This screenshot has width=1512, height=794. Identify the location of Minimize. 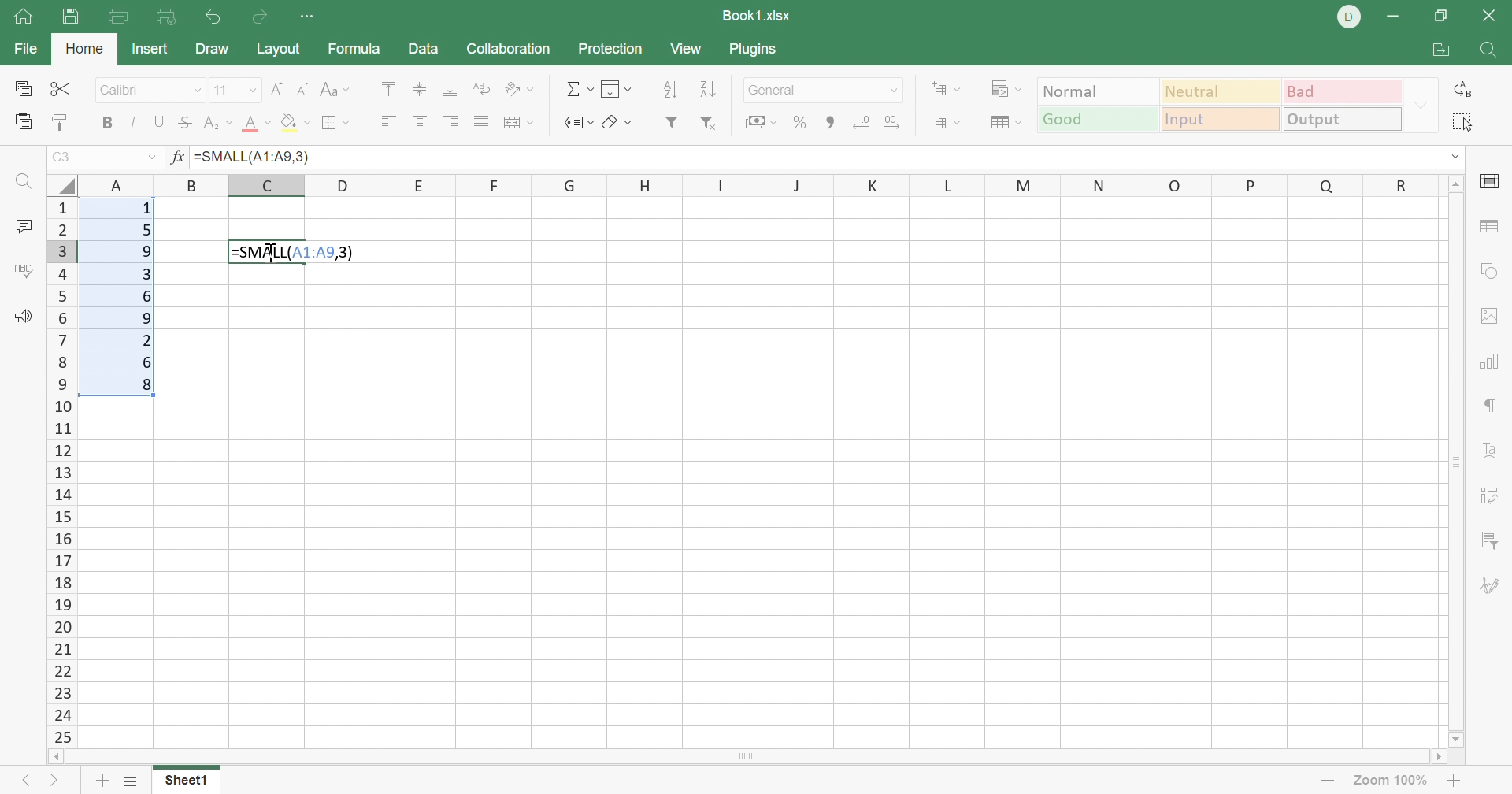
(1393, 17).